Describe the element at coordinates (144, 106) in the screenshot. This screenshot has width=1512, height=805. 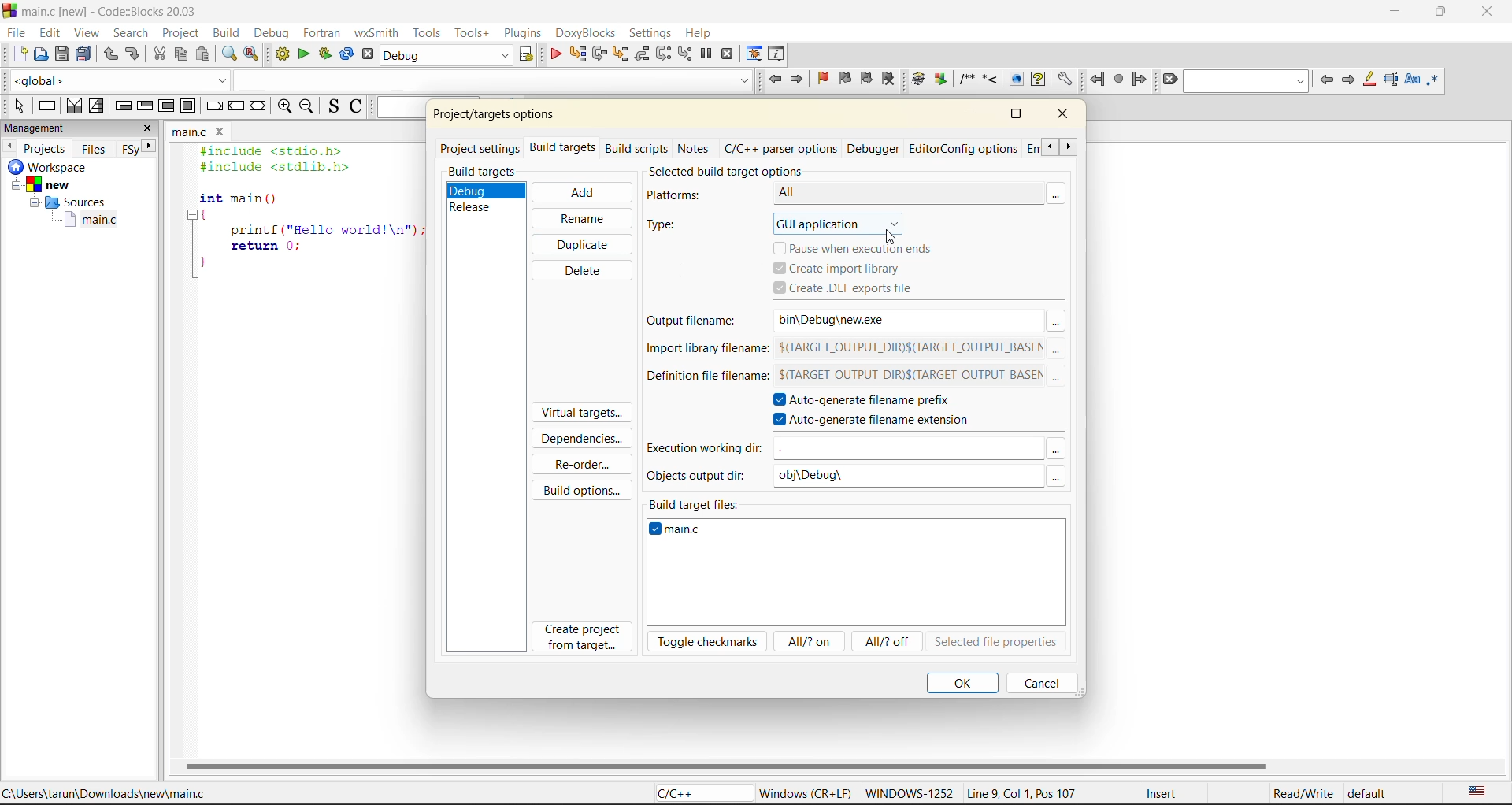
I see `exit condition loop` at that location.